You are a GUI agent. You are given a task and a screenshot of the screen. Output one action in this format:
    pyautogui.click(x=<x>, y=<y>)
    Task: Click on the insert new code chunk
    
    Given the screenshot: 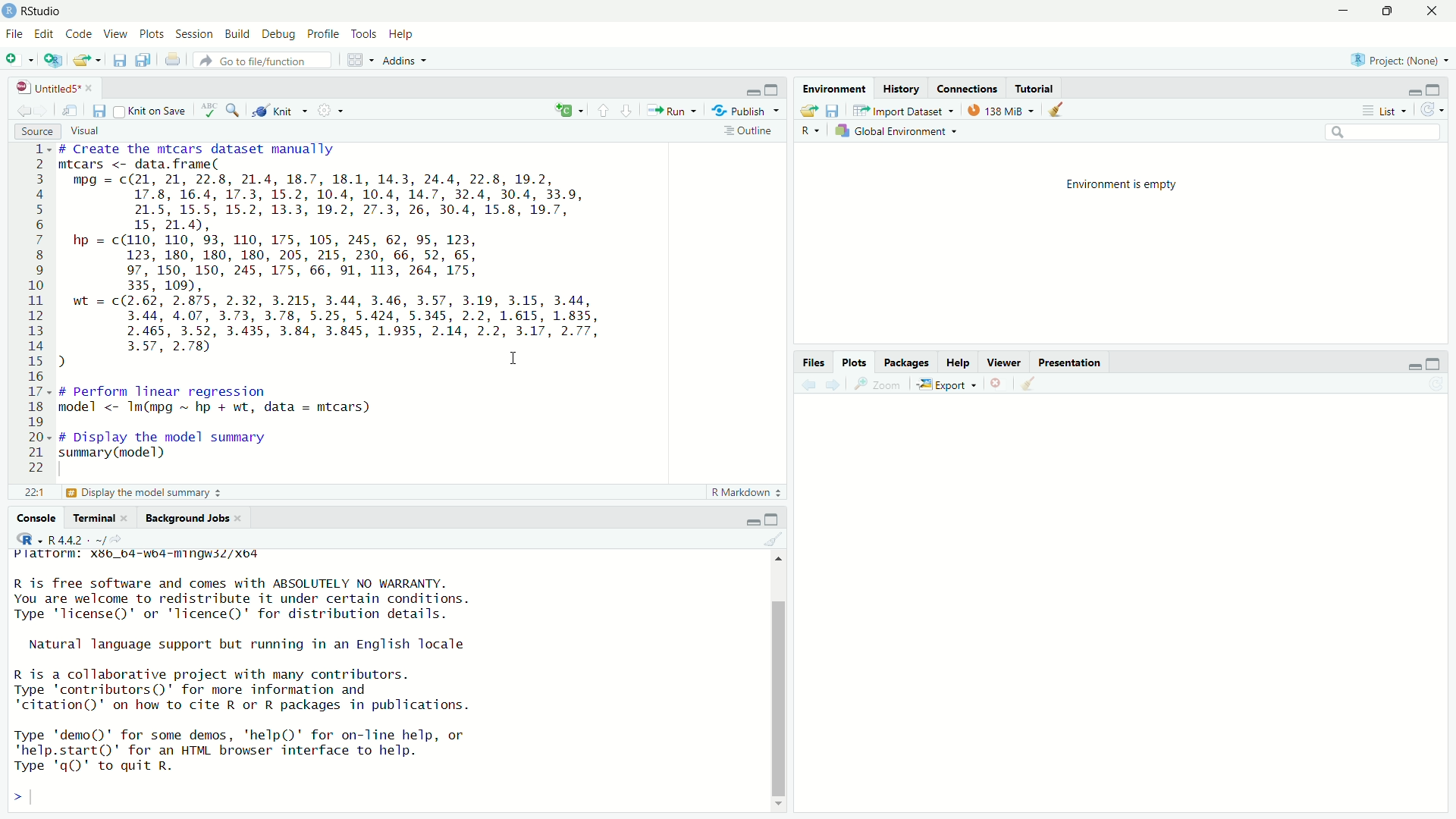 What is the action you would take?
    pyautogui.click(x=567, y=110)
    